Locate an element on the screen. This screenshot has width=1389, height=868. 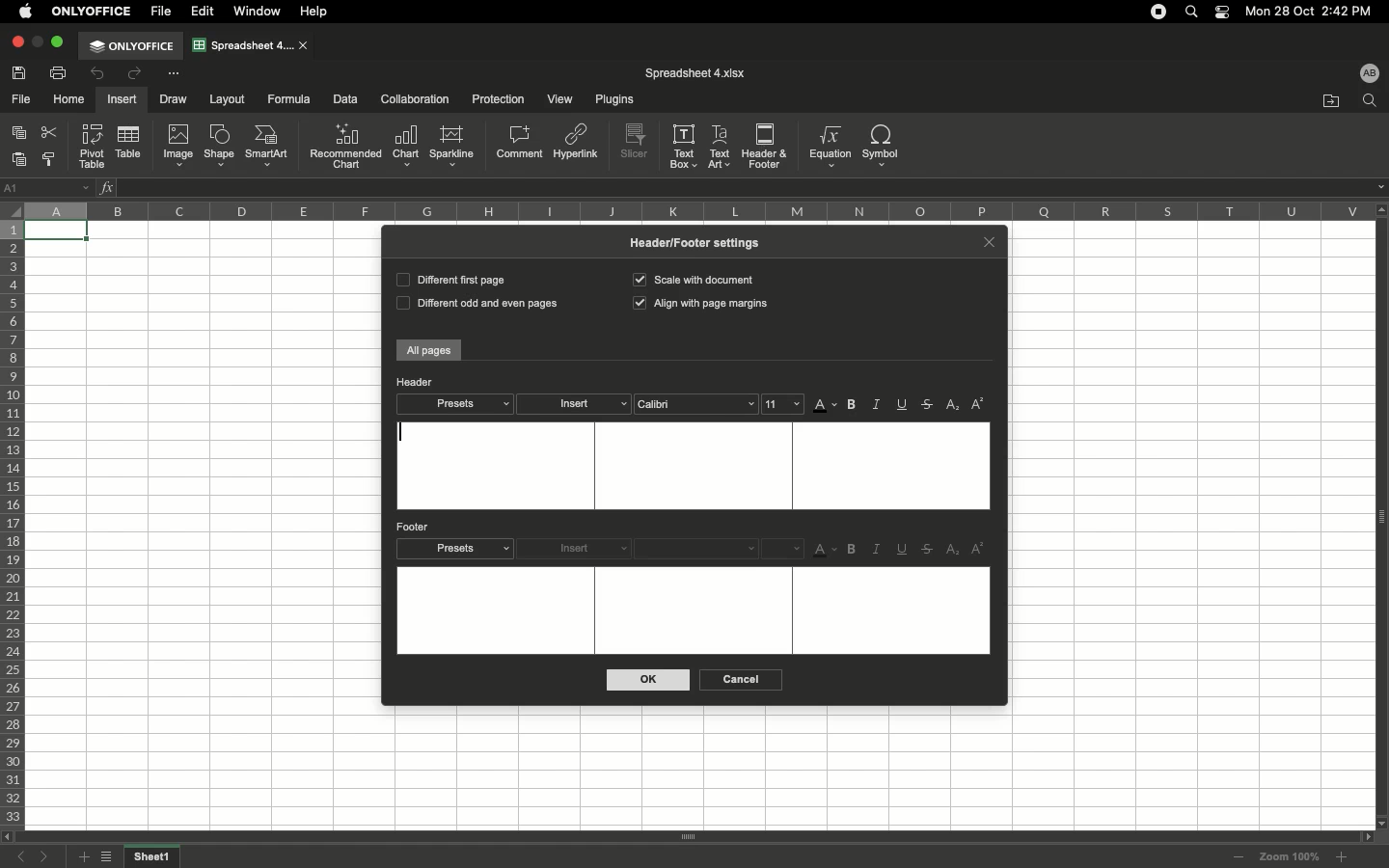
Zoom out is located at coordinates (1239, 858).